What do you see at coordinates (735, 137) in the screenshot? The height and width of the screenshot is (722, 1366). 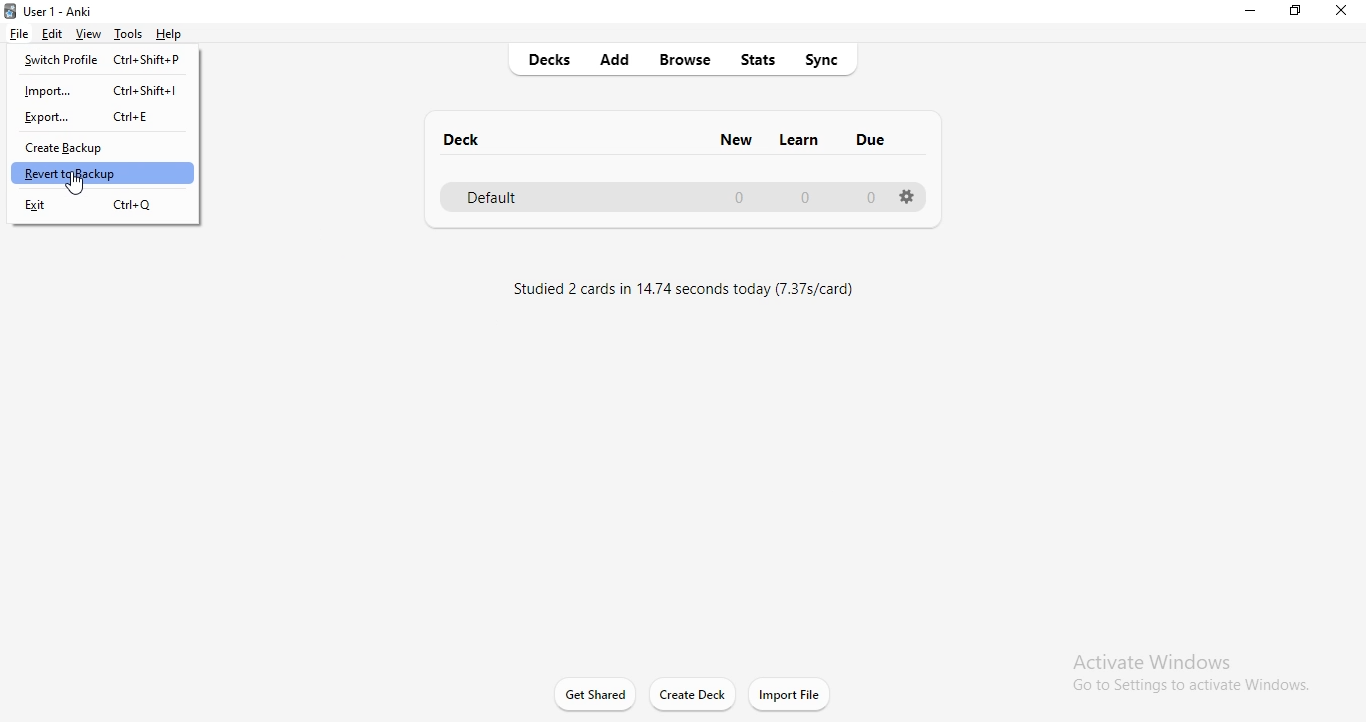 I see `new` at bounding box center [735, 137].